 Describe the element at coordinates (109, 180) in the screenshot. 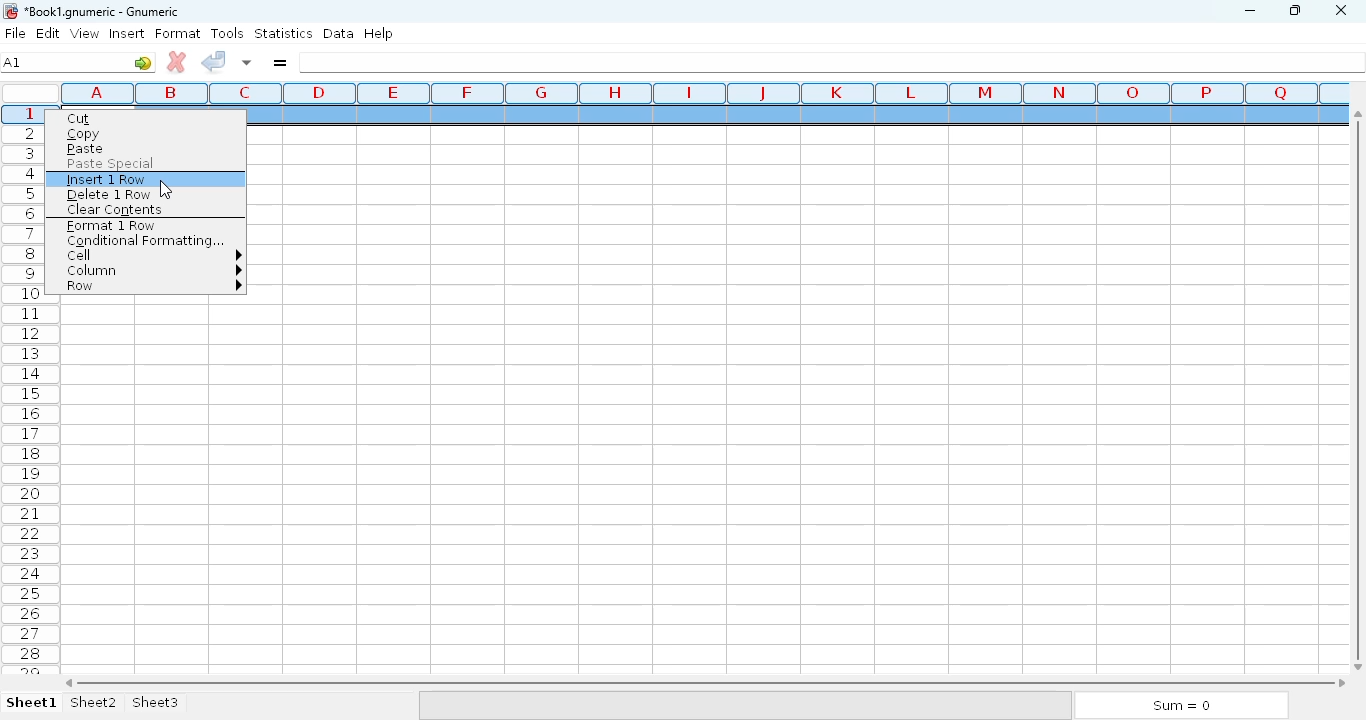

I see `insert 1 row` at that location.